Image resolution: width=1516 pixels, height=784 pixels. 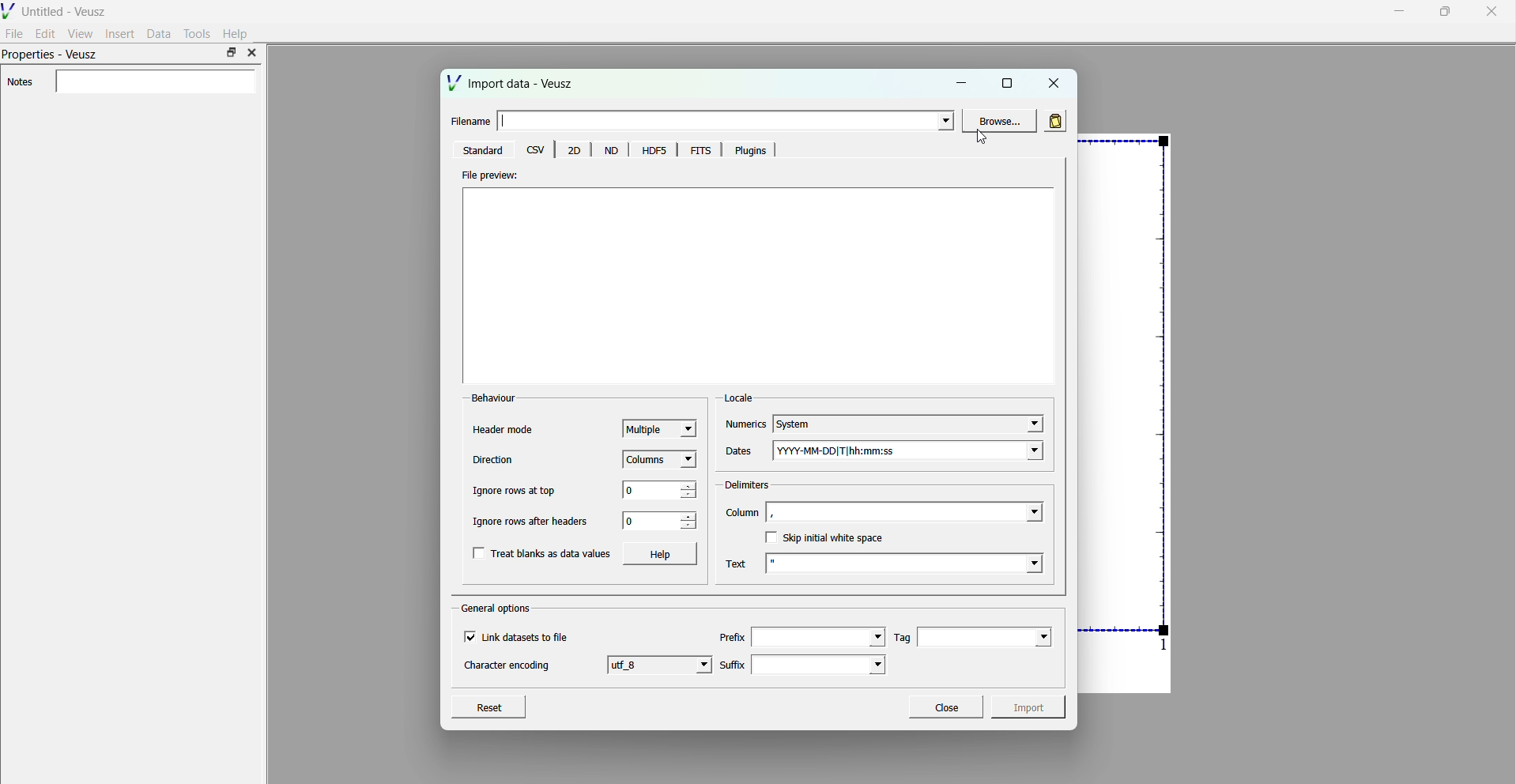 I want to click on cursor, so click(x=984, y=137).